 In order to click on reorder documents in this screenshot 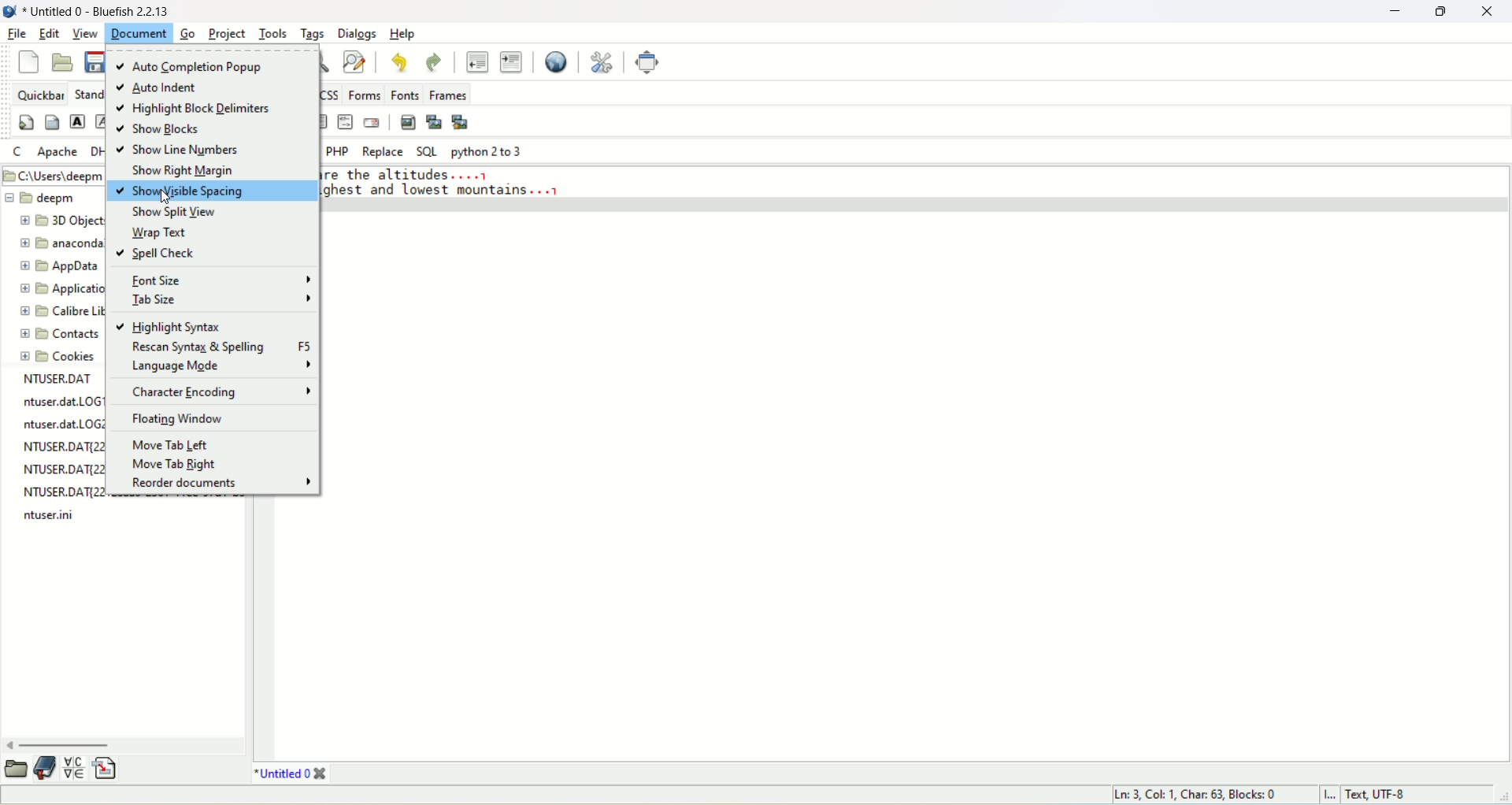, I will do `click(220, 482)`.